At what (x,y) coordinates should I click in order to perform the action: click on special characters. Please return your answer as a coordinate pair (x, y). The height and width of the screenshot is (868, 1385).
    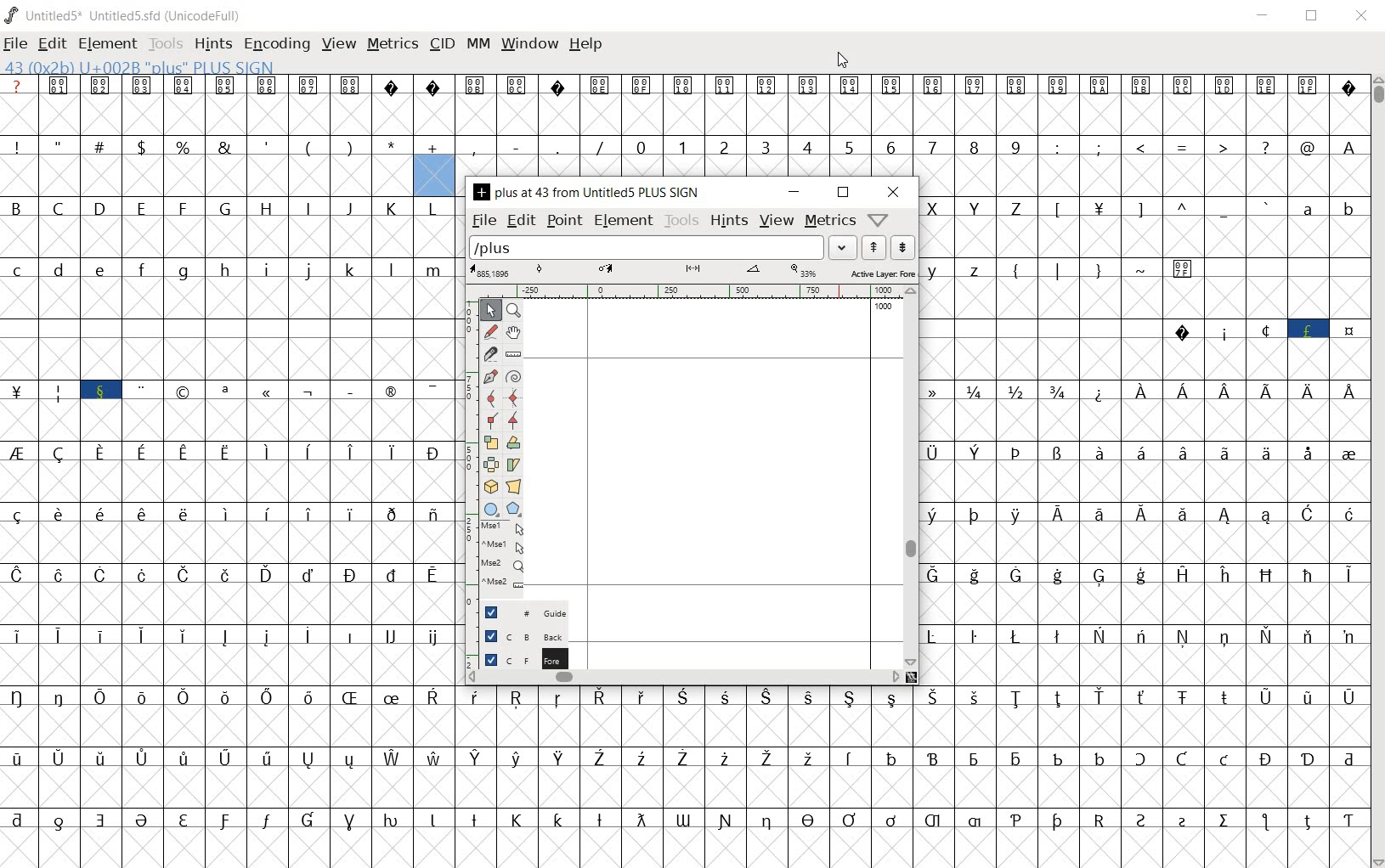
    Looking at the image, I should click on (541, 159).